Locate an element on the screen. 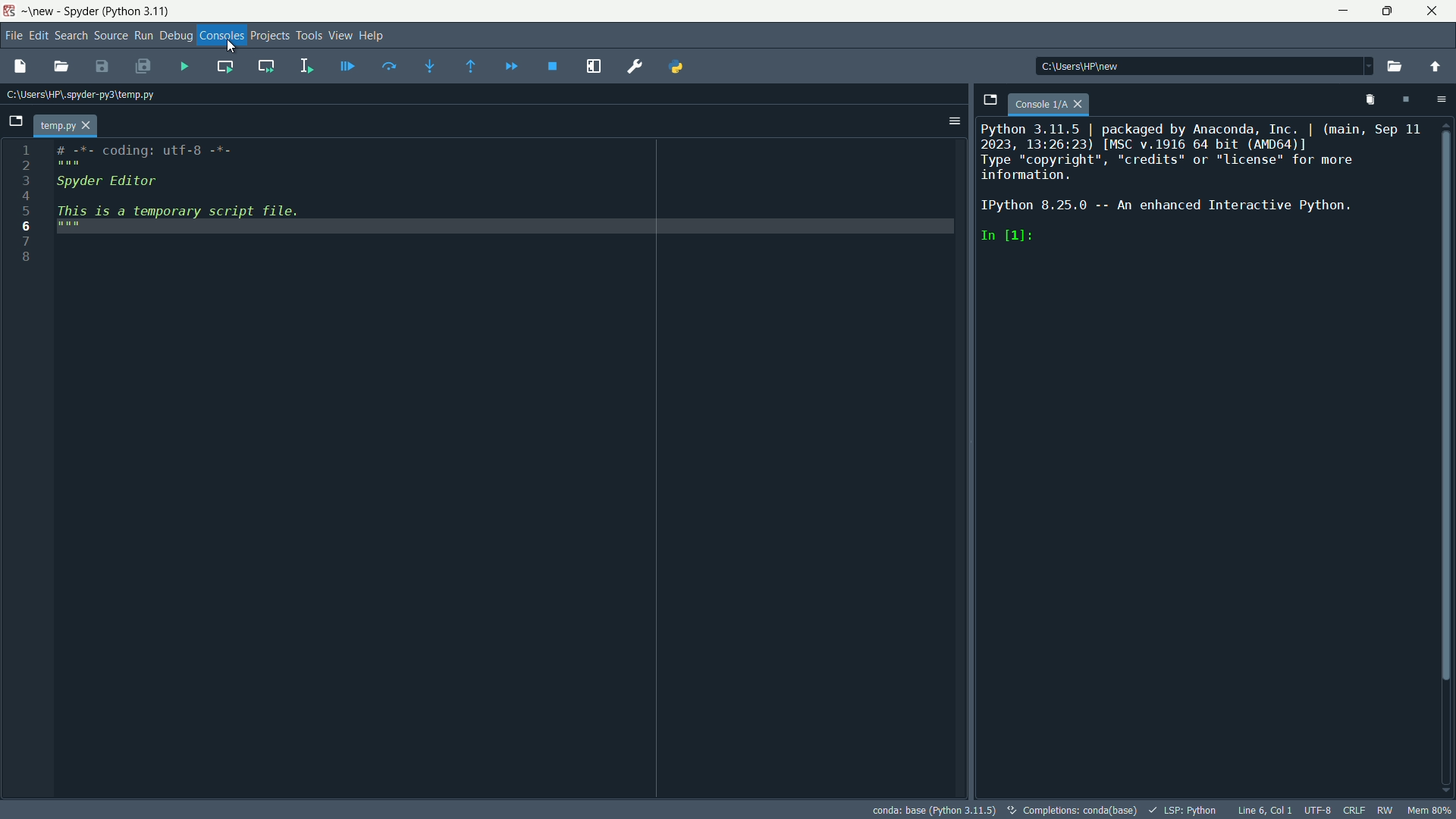  close is located at coordinates (1081, 105).